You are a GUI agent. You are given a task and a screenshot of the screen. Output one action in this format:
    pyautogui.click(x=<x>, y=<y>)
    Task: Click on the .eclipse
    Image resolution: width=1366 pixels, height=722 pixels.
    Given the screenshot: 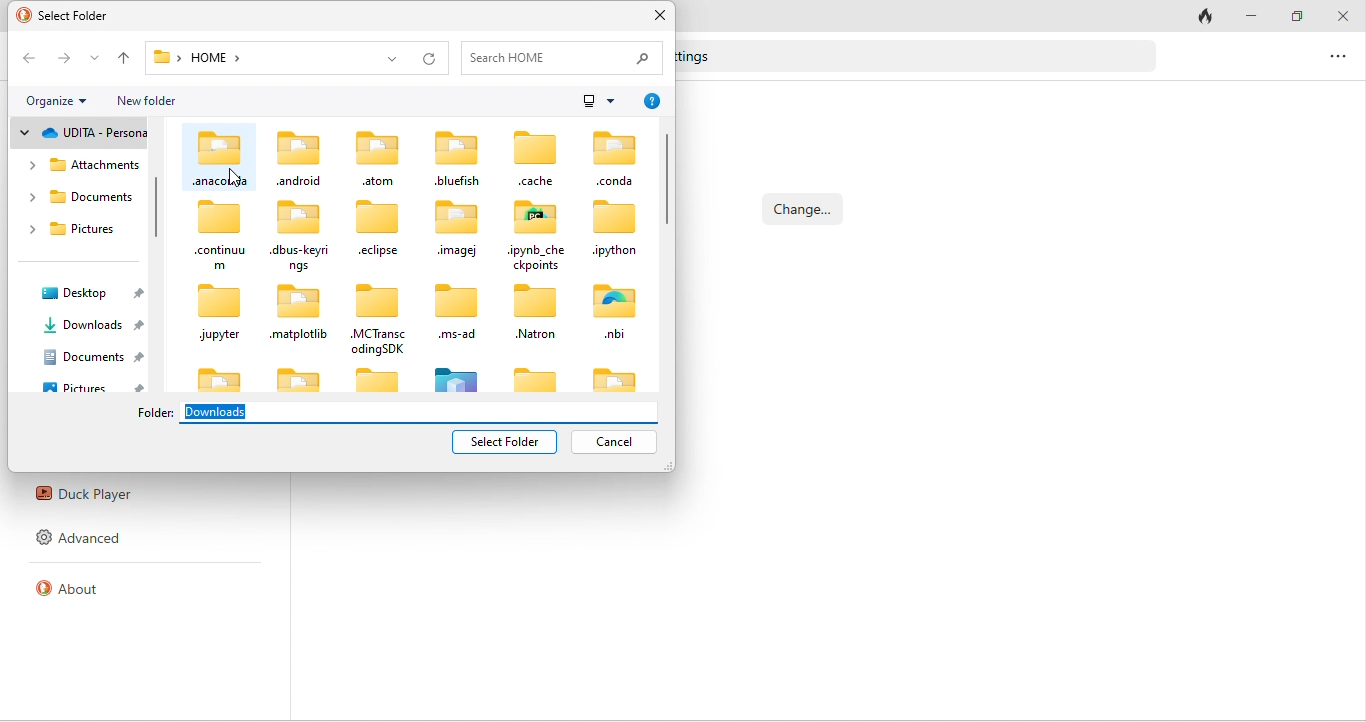 What is the action you would take?
    pyautogui.click(x=385, y=228)
    